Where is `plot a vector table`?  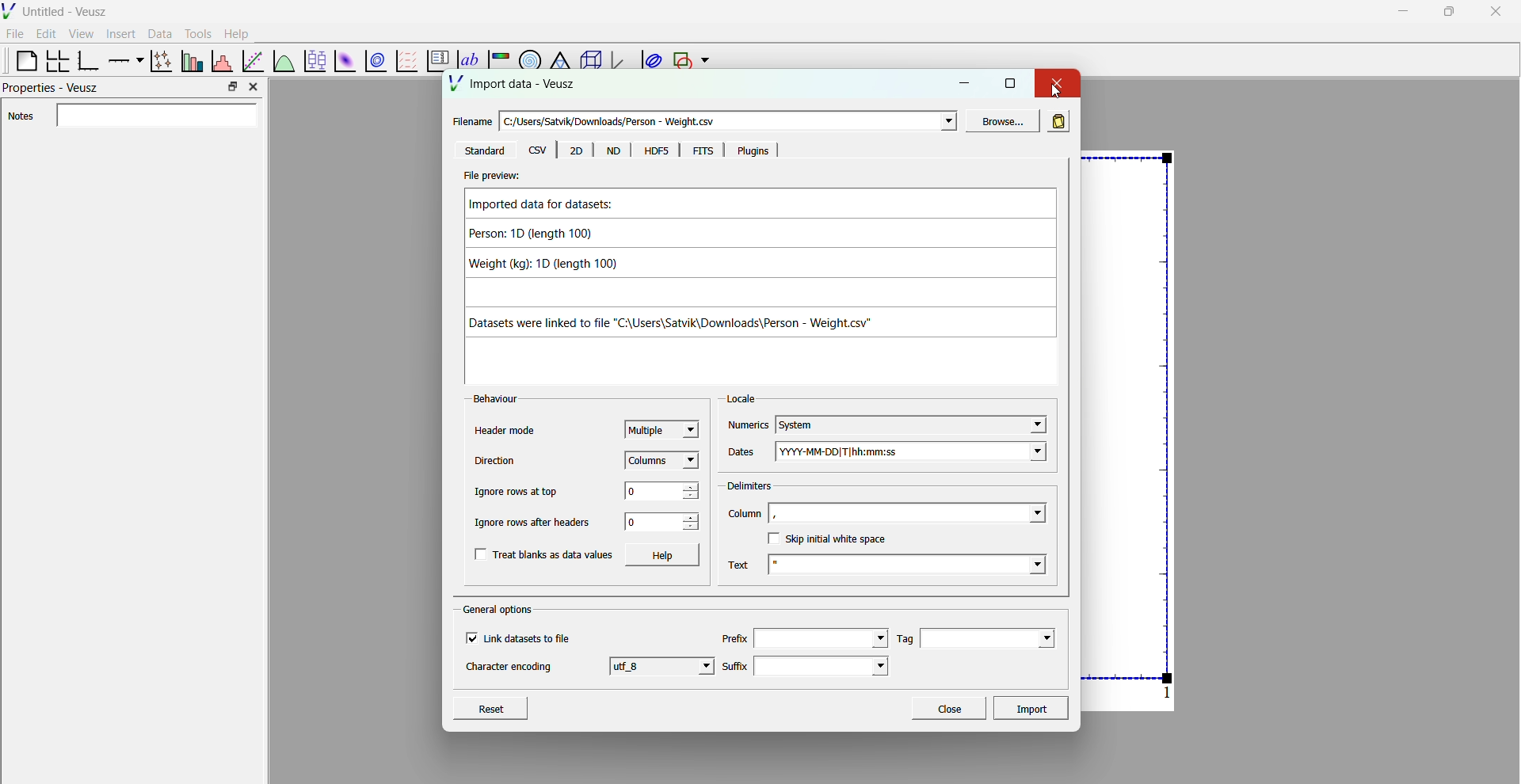 plot a vector table is located at coordinates (405, 60).